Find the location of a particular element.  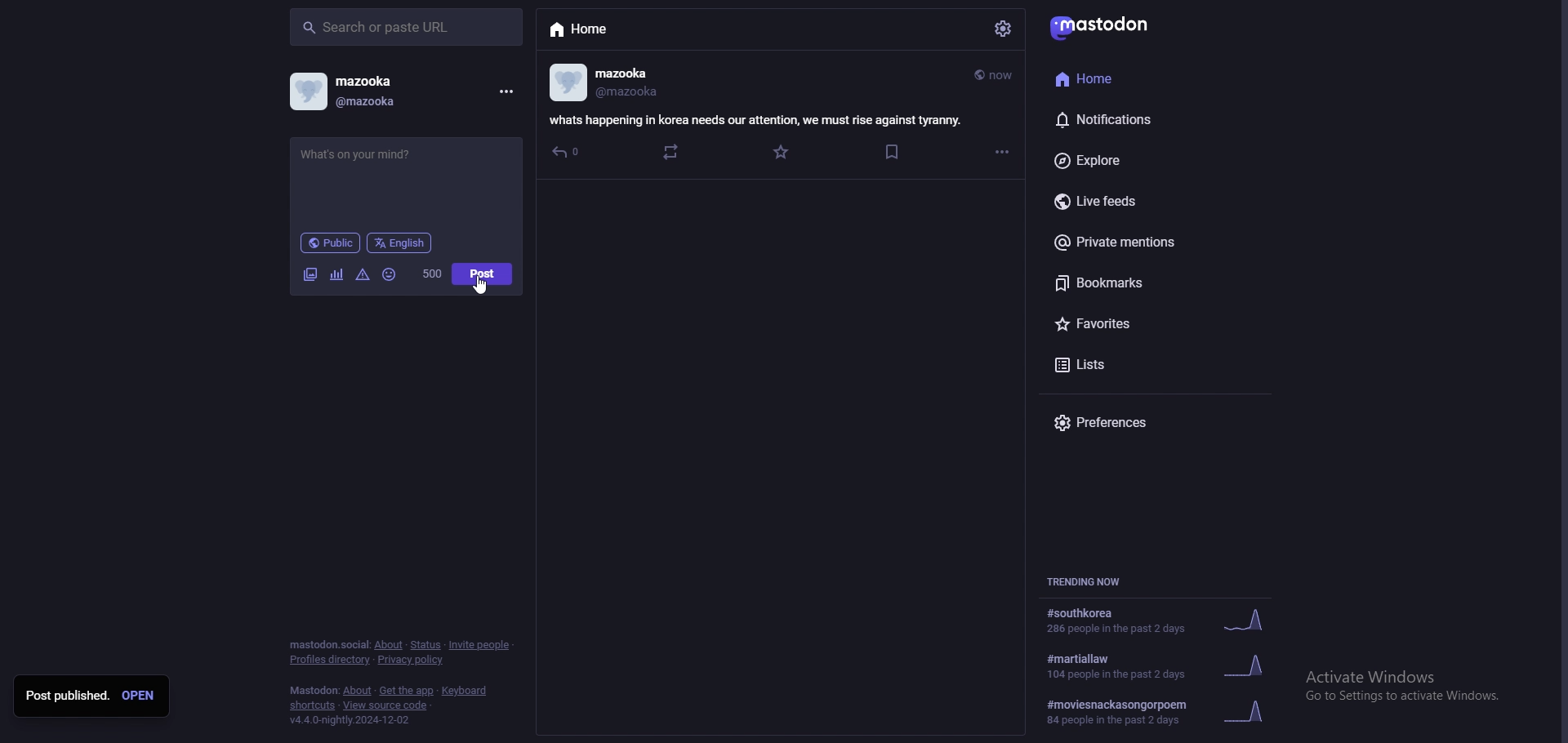

images is located at coordinates (312, 275).